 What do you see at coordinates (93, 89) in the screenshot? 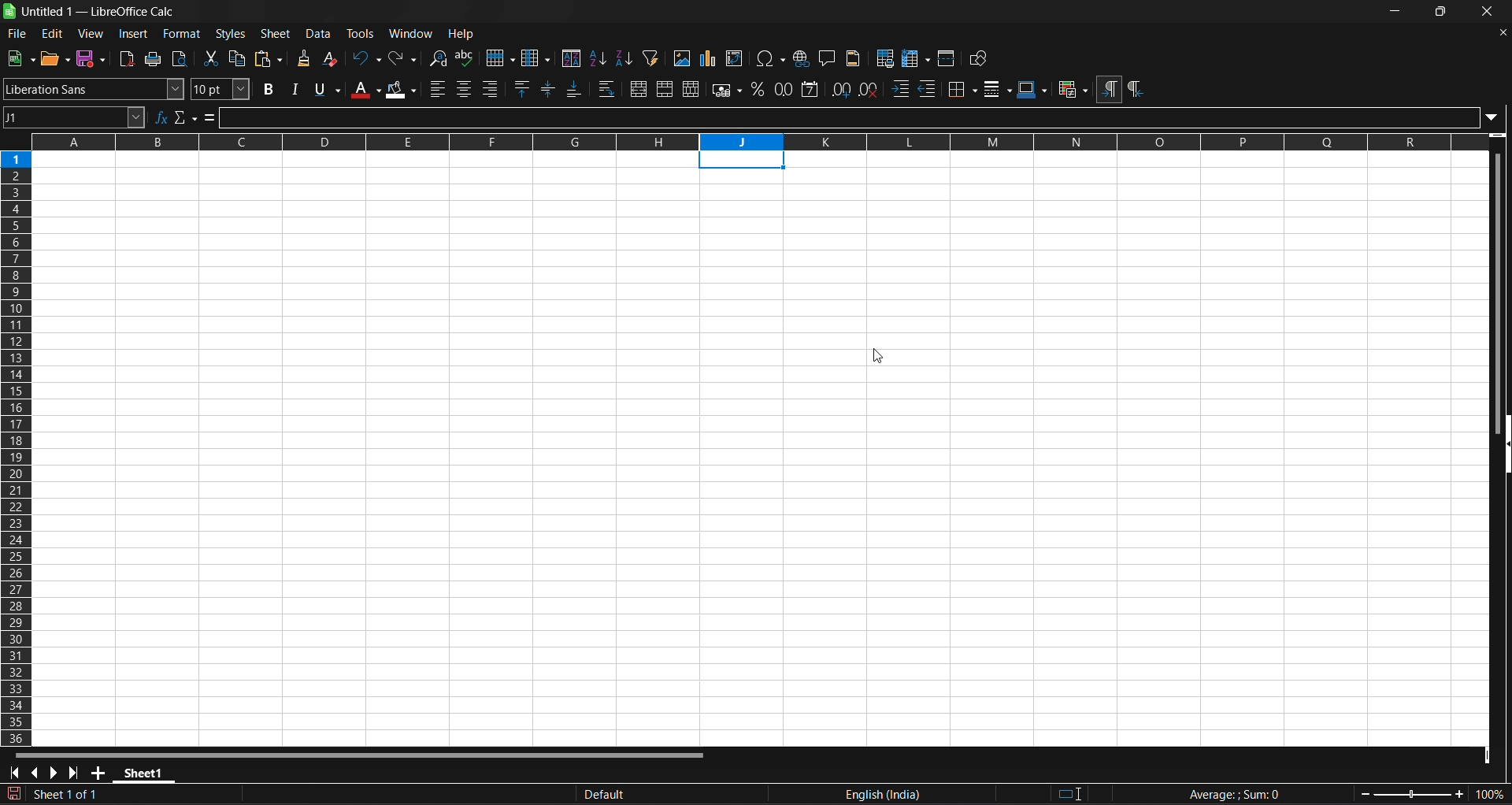
I see `font name` at bounding box center [93, 89].